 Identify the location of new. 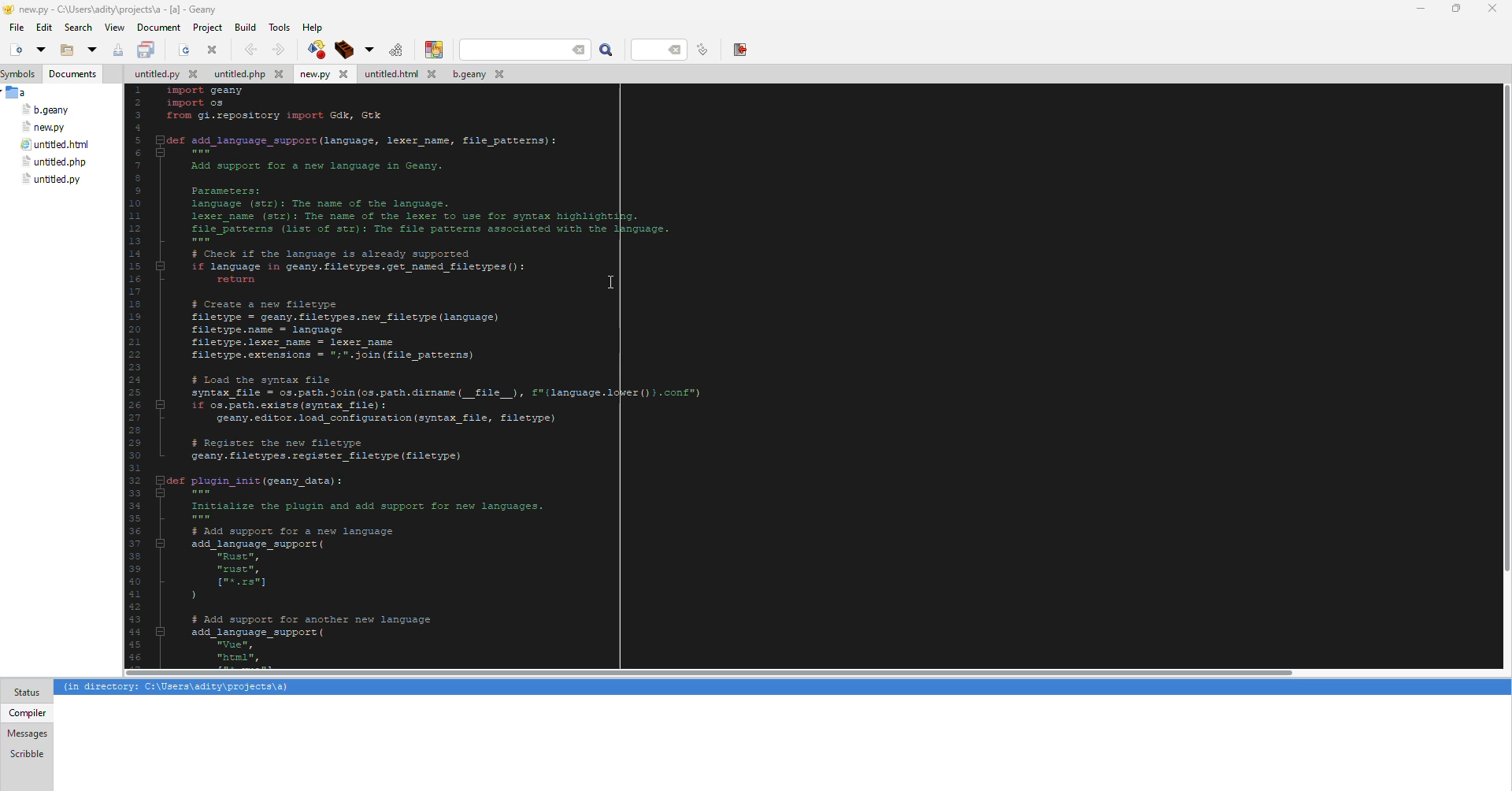
(16, 50).